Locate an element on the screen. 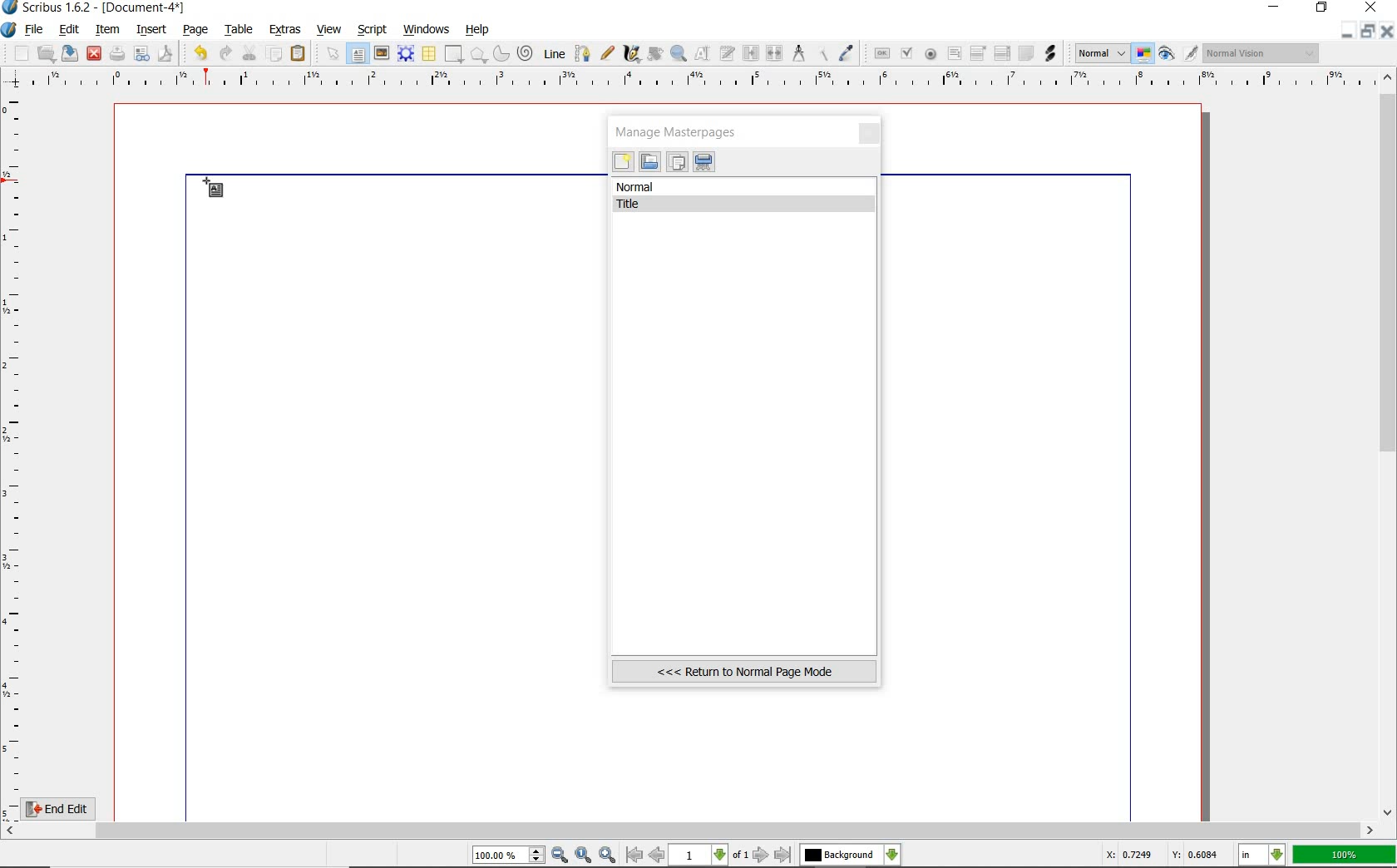 The height and width of the screenshot is (868, 1397). pdf push button is located at coordinates (879, 52).